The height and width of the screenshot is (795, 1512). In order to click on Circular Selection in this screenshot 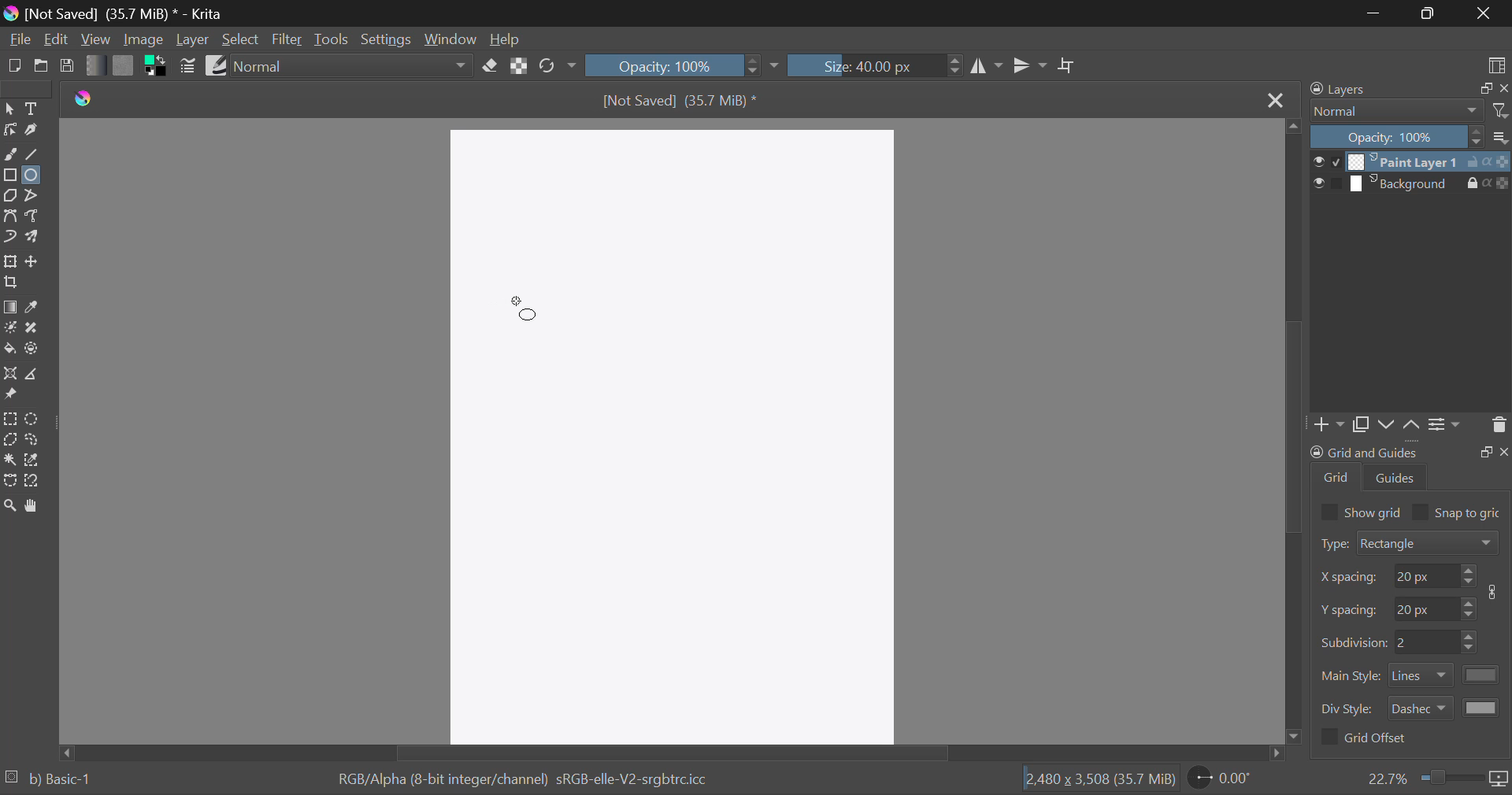, I will do `click(33, 418)`.